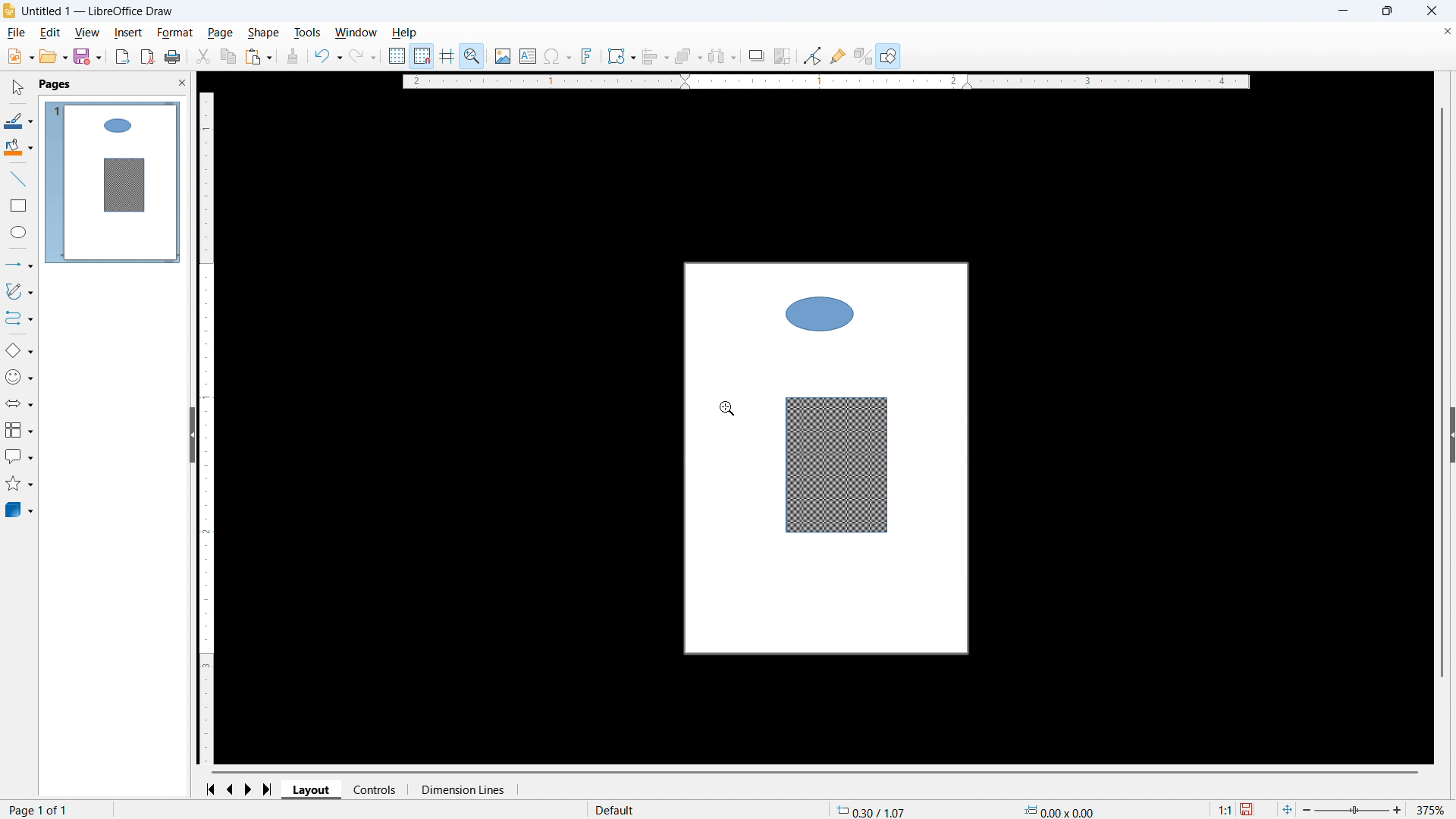  I want to click on Print , so click(173, 56).